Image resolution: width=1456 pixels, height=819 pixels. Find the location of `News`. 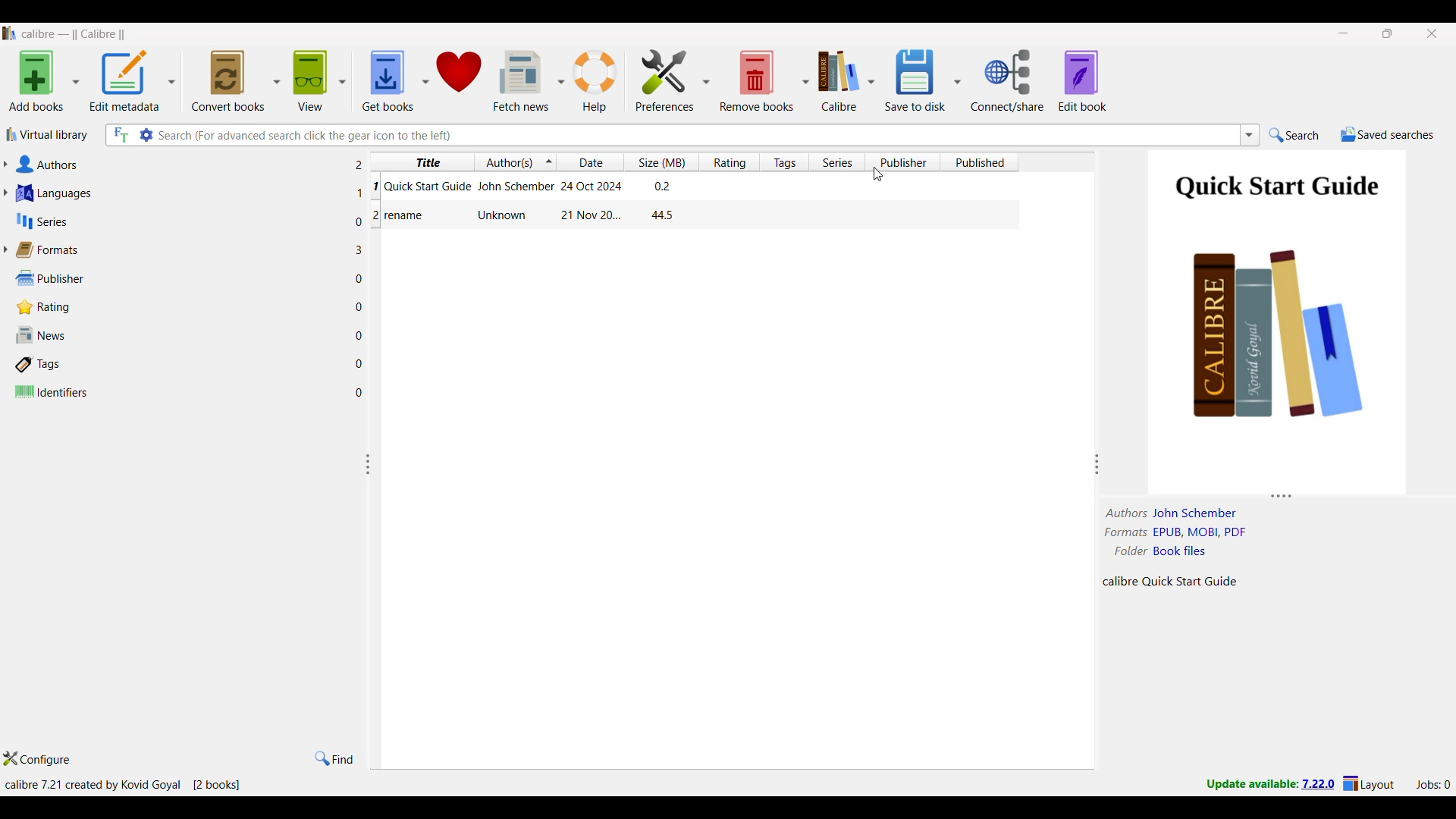

News is located at coordinates (180, 335).